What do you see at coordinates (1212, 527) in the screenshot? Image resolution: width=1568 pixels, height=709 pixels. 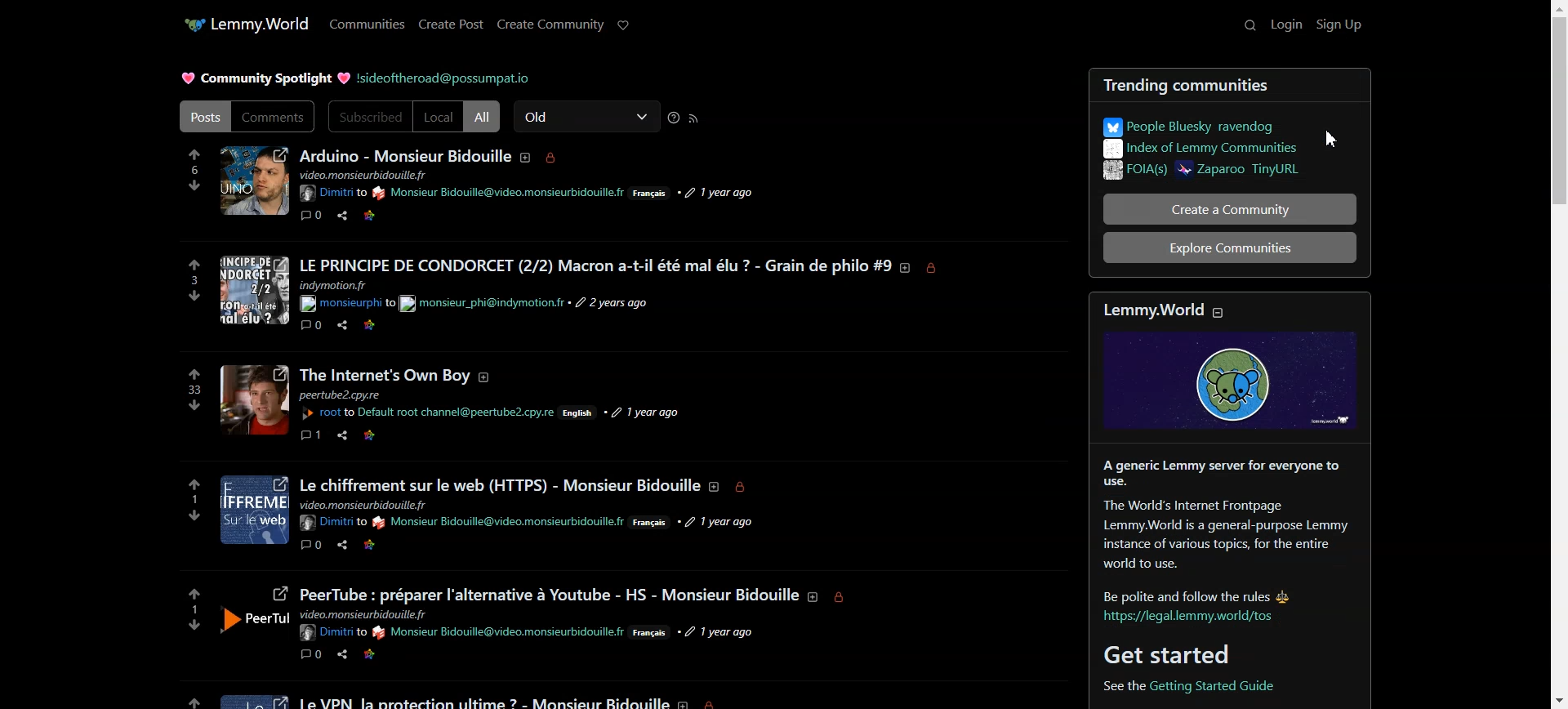 I see `text` at bounding box center [1212, 527].